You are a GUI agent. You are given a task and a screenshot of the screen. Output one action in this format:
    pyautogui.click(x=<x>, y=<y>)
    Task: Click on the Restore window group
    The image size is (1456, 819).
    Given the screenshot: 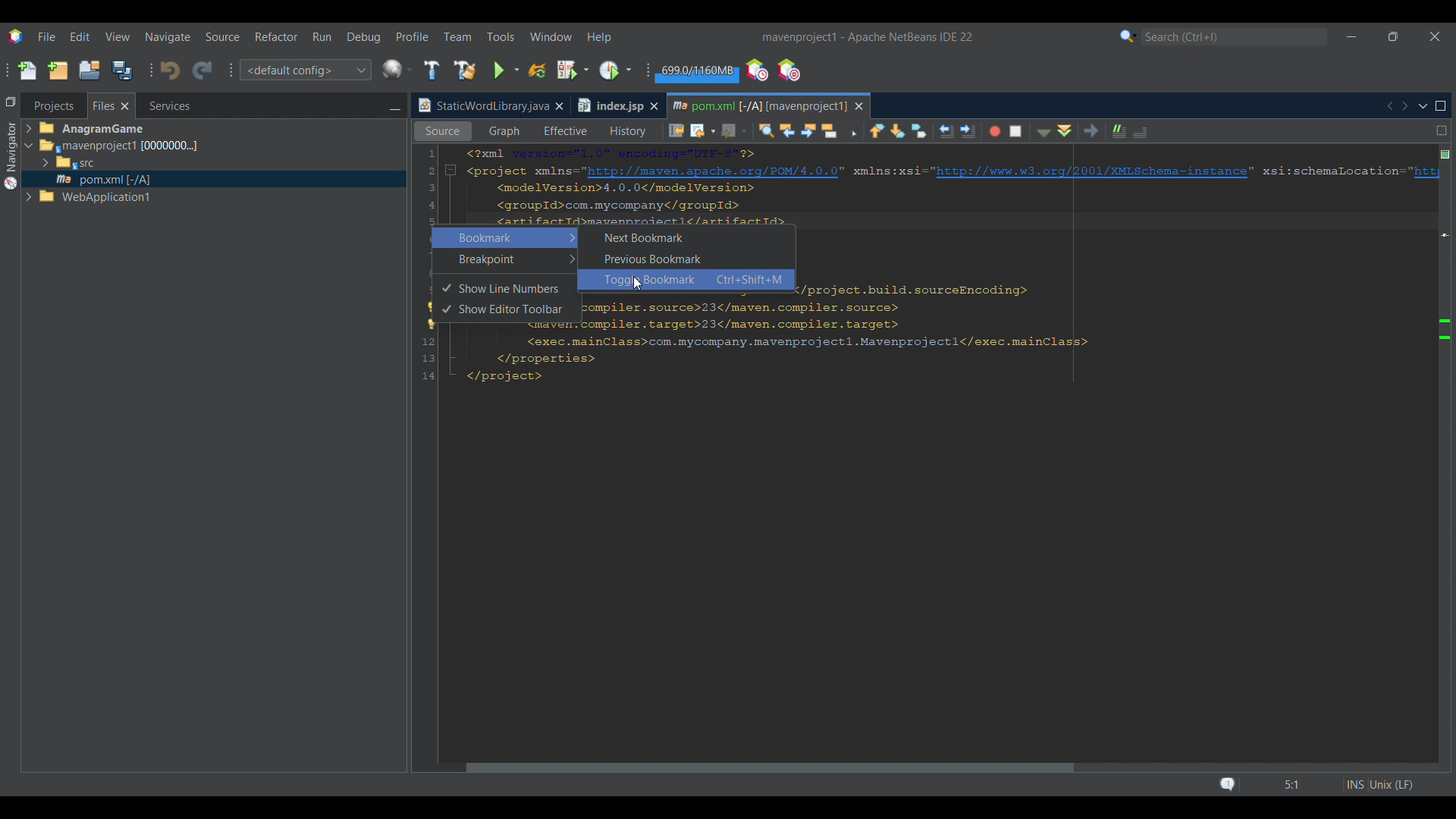 What is the action you would take?
    pyautogui.click(x=11, y=101)
    